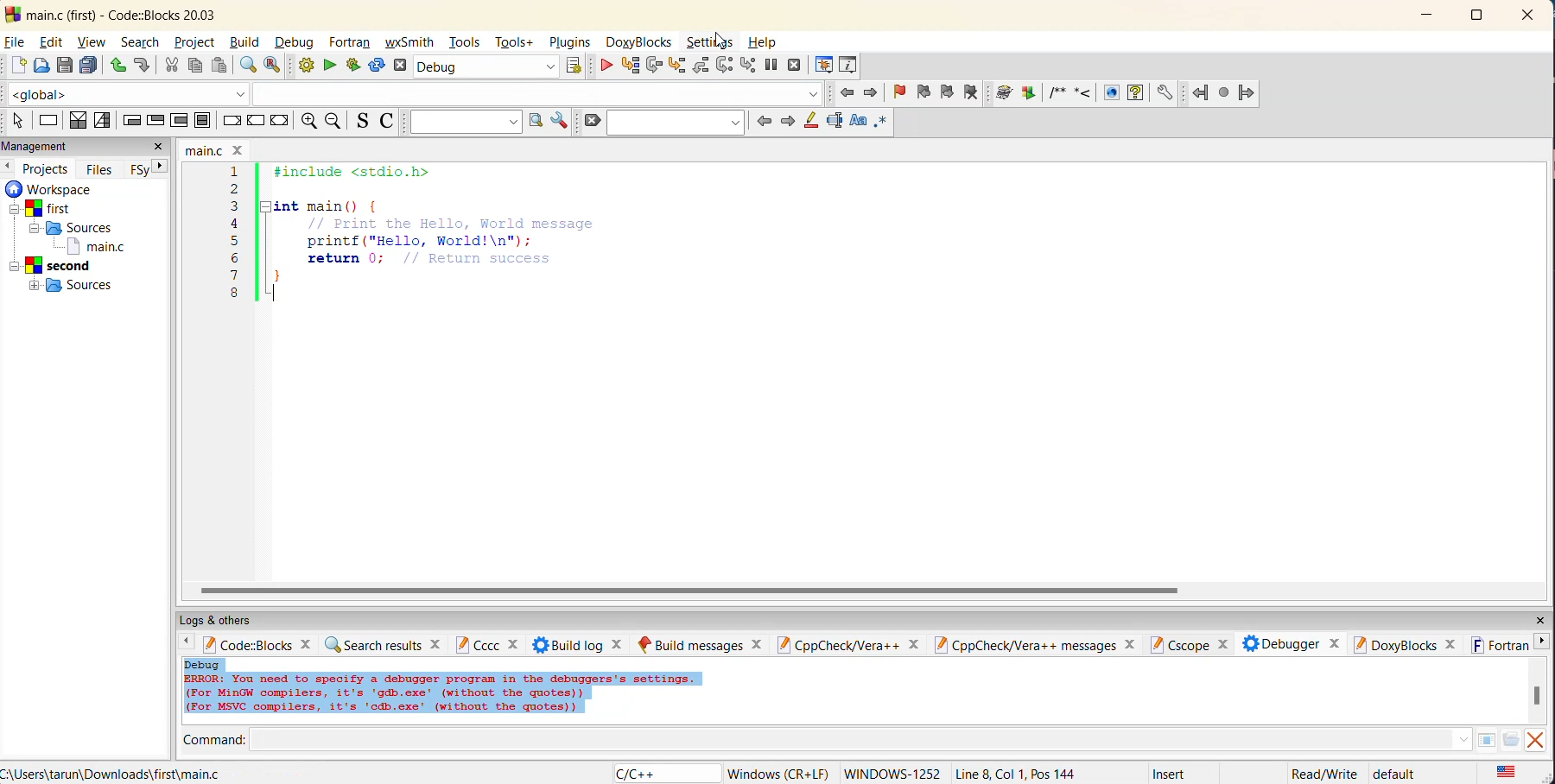  Describe the element at coordinates (10, 167) in the screenshot. I see `previous` at that location.